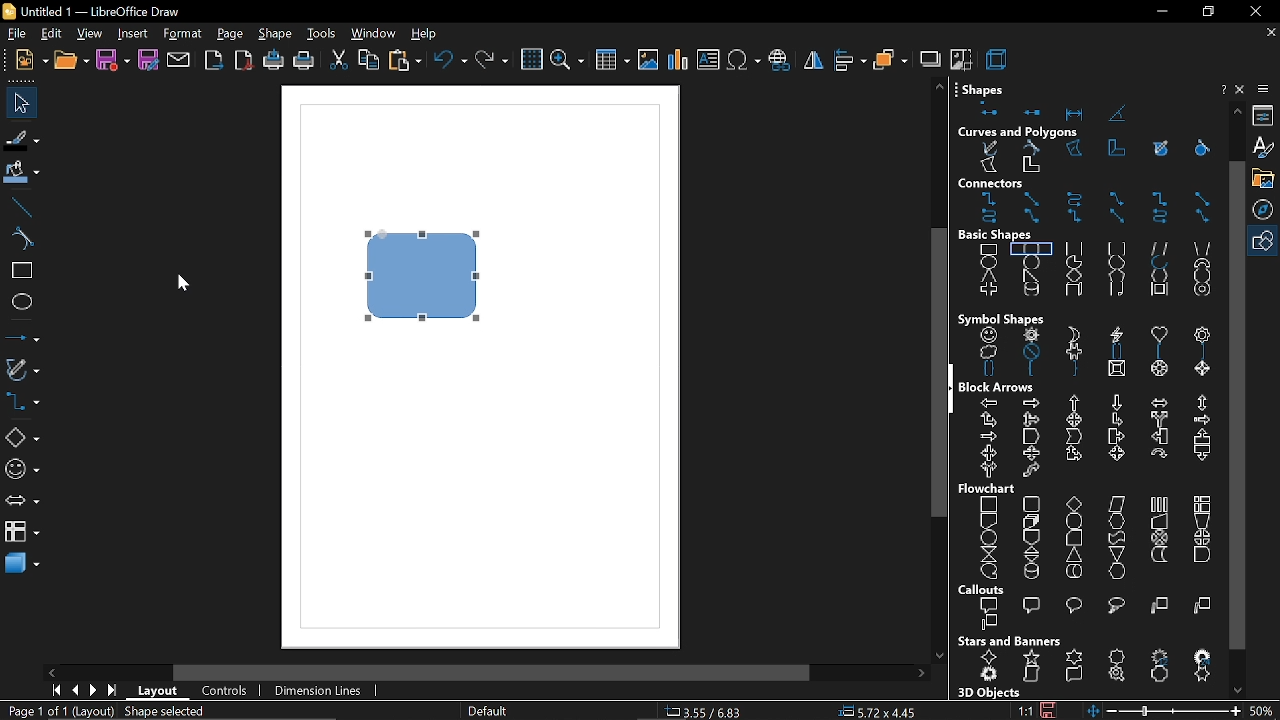 The image size is (1280, 720). What do you see at coordinates (1265, 89) in the screenshot?
I see `sidebar settings` at bounding box center [1265, 89].